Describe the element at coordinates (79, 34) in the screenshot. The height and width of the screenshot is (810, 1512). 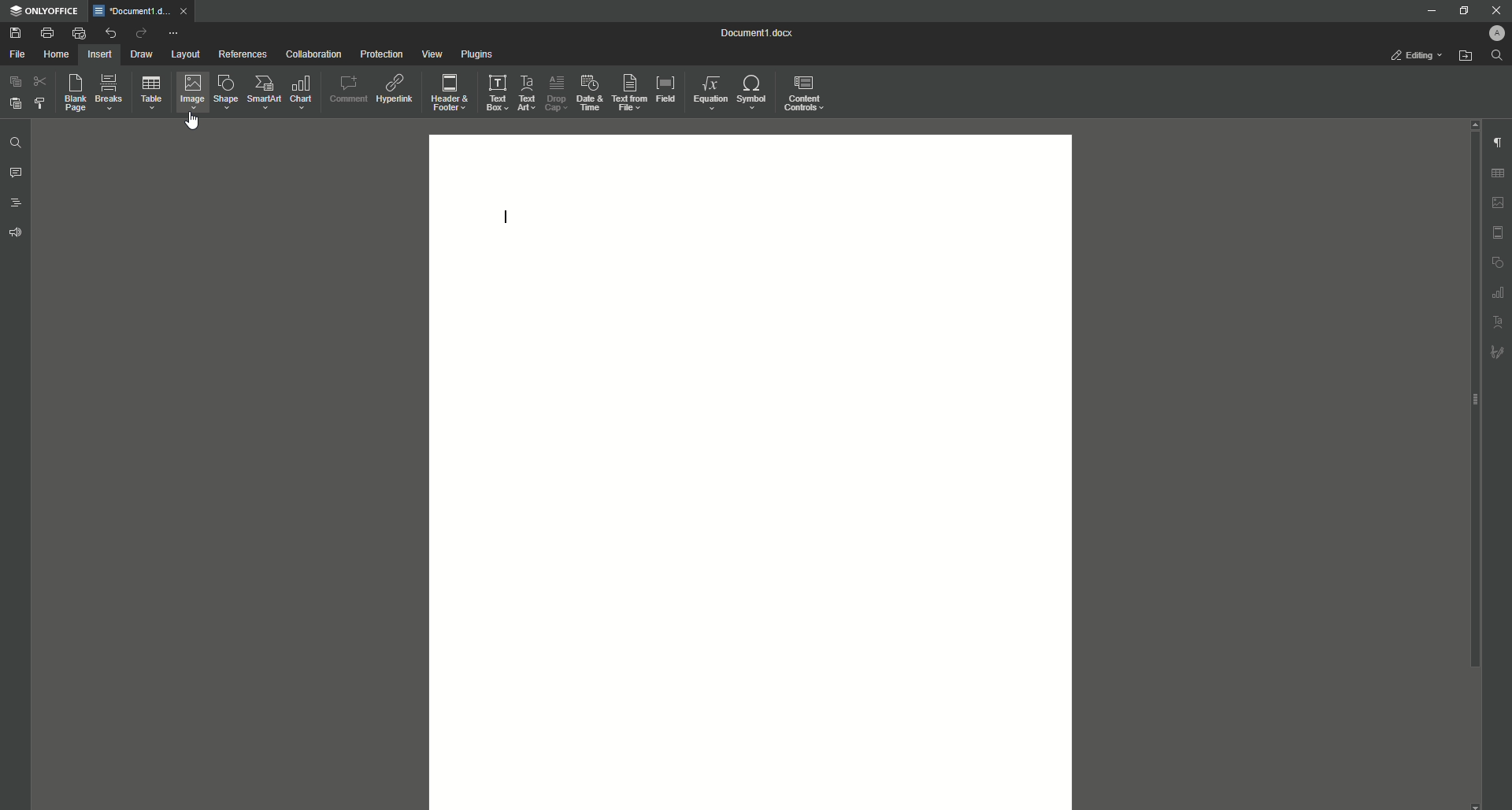
I see `Quick Print` at that location.